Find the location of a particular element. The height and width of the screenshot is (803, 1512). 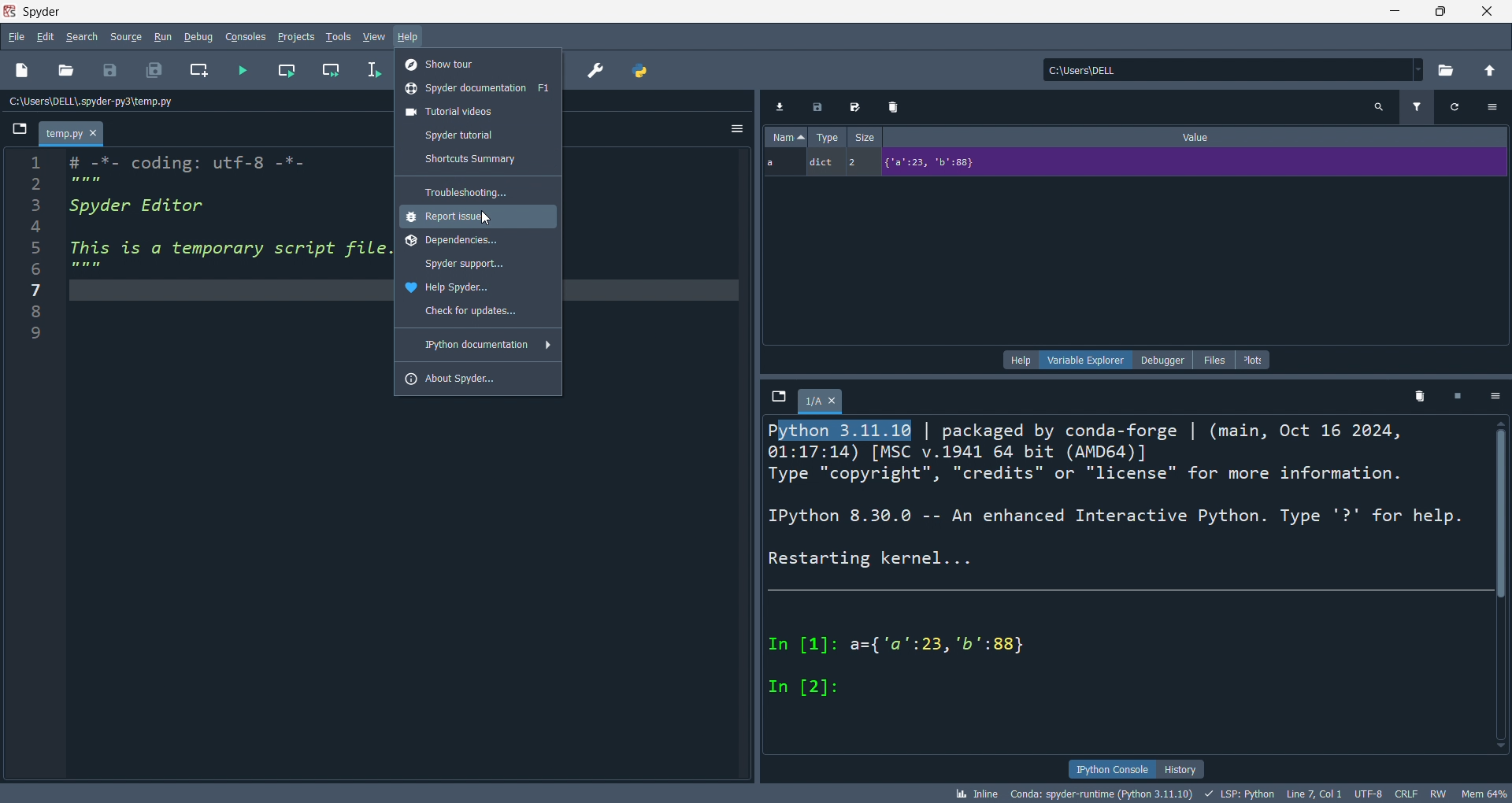

Settings is located at coordinates (1493, 106).